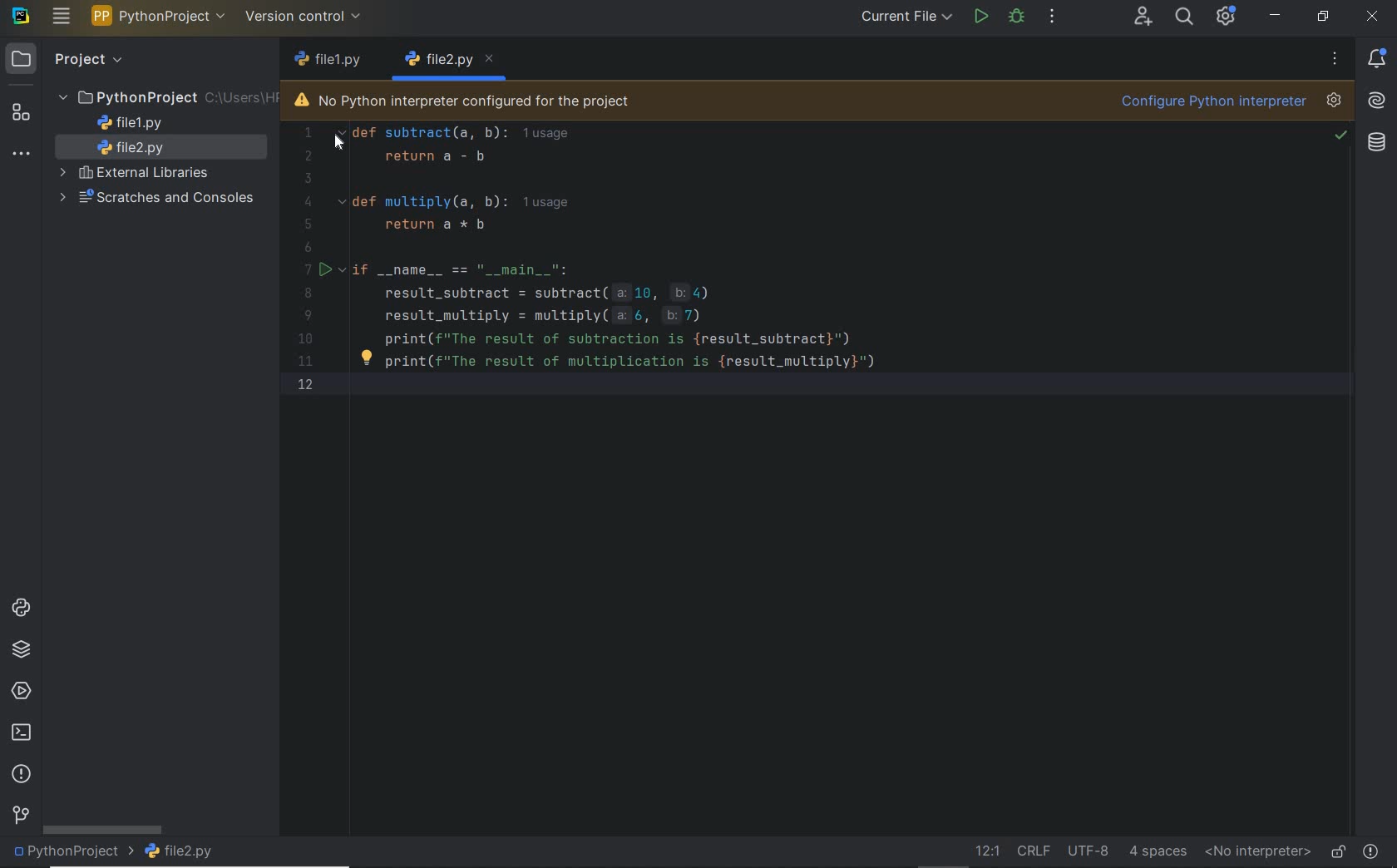  I want to click on system name, so click(22, 16).